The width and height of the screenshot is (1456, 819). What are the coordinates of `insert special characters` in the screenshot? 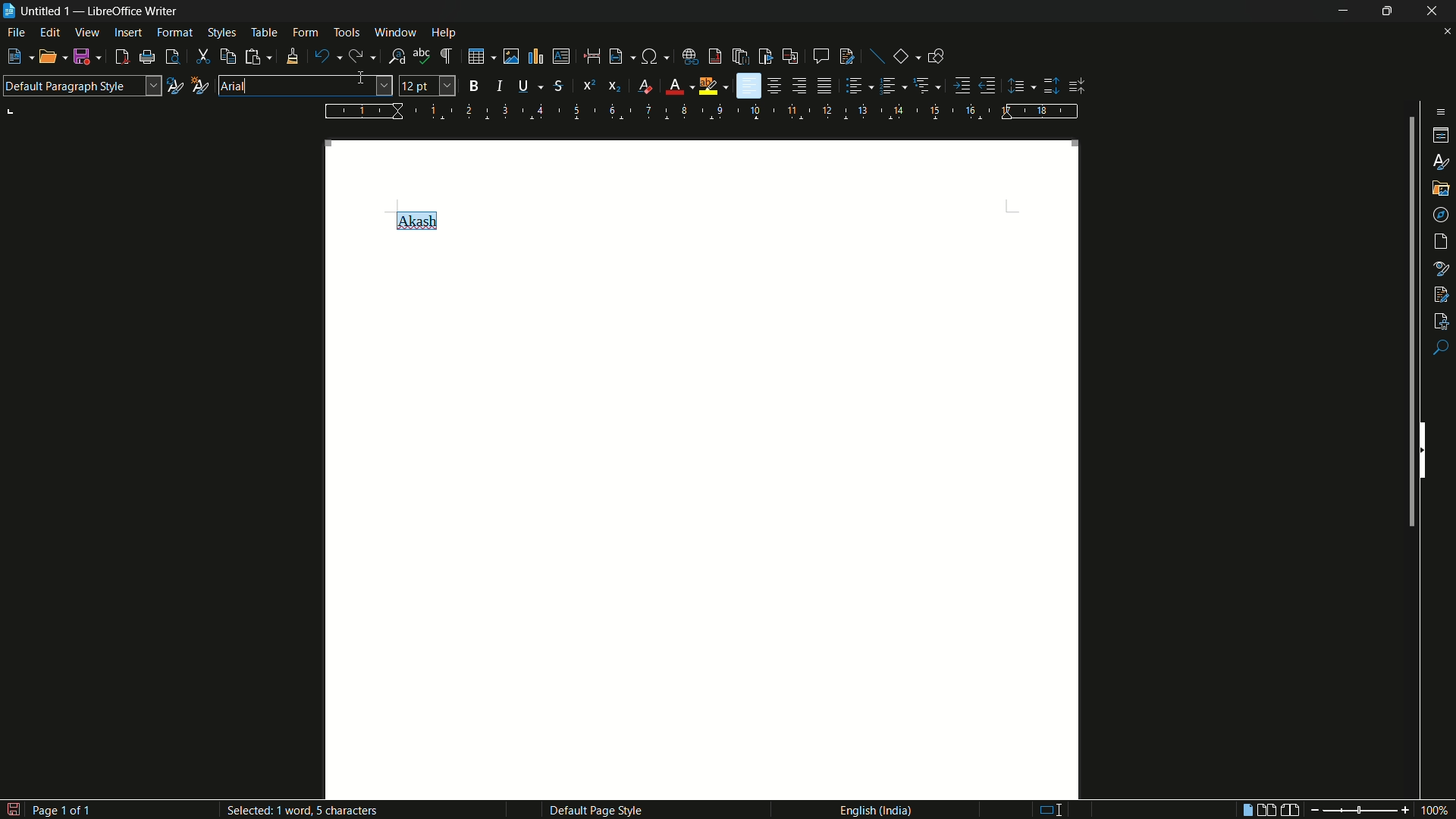 It's located at (655, 58).